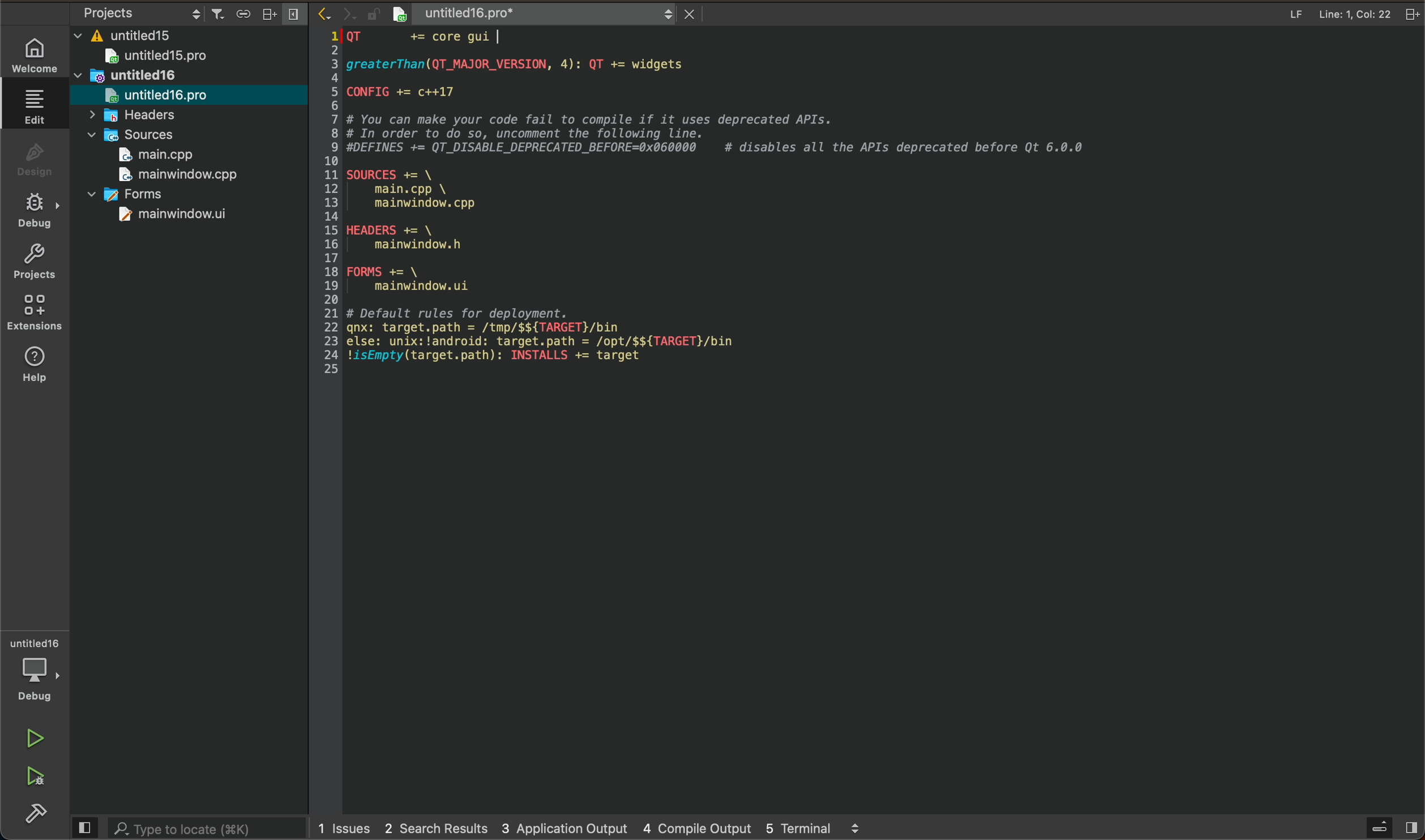 The image size is (1425, 840). Describe the element at coordinates (161, 96) in the screenshot. I see `untitledpro` at that location.